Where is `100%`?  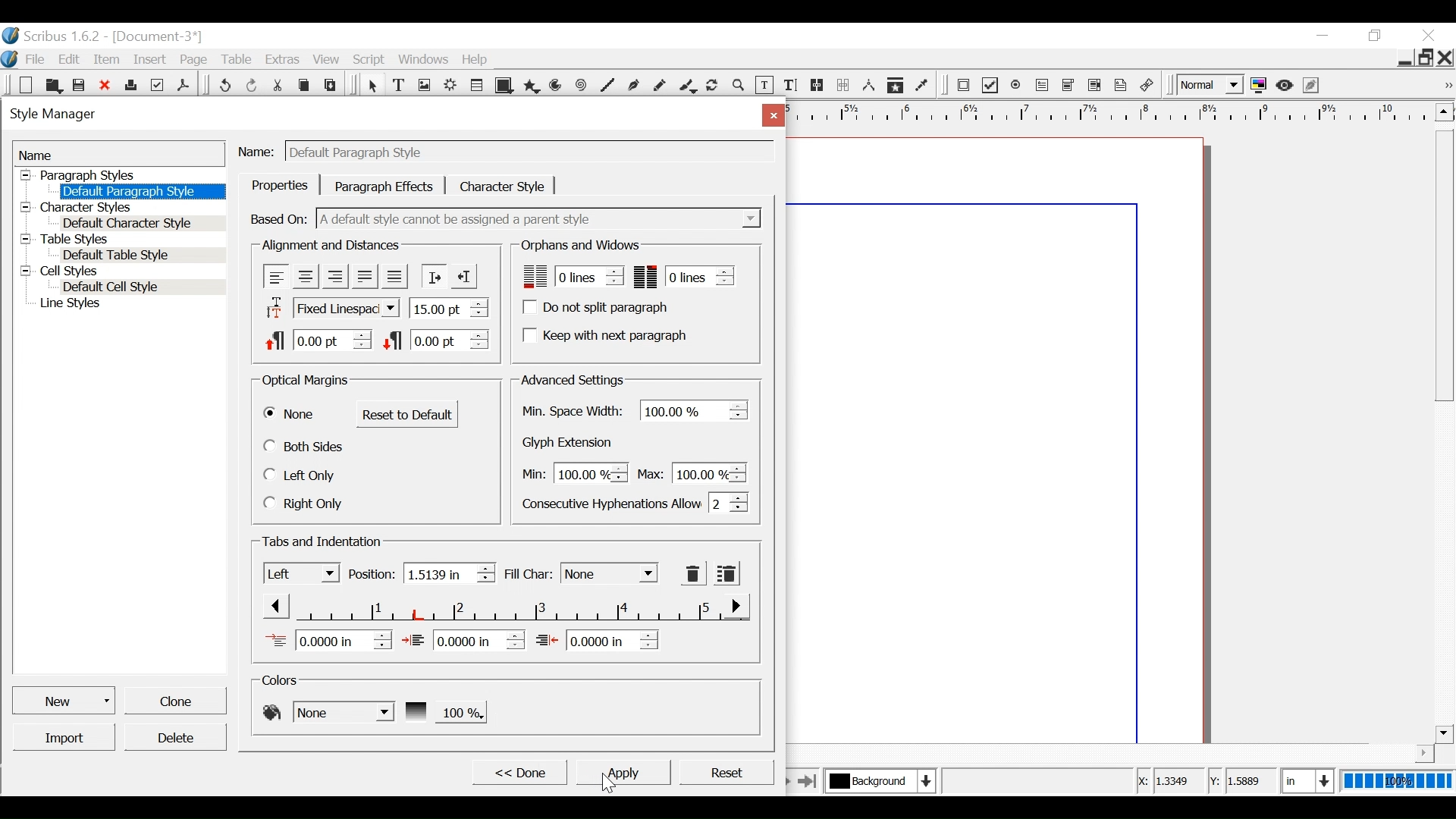 100% is located at coordinates (1395, 781).